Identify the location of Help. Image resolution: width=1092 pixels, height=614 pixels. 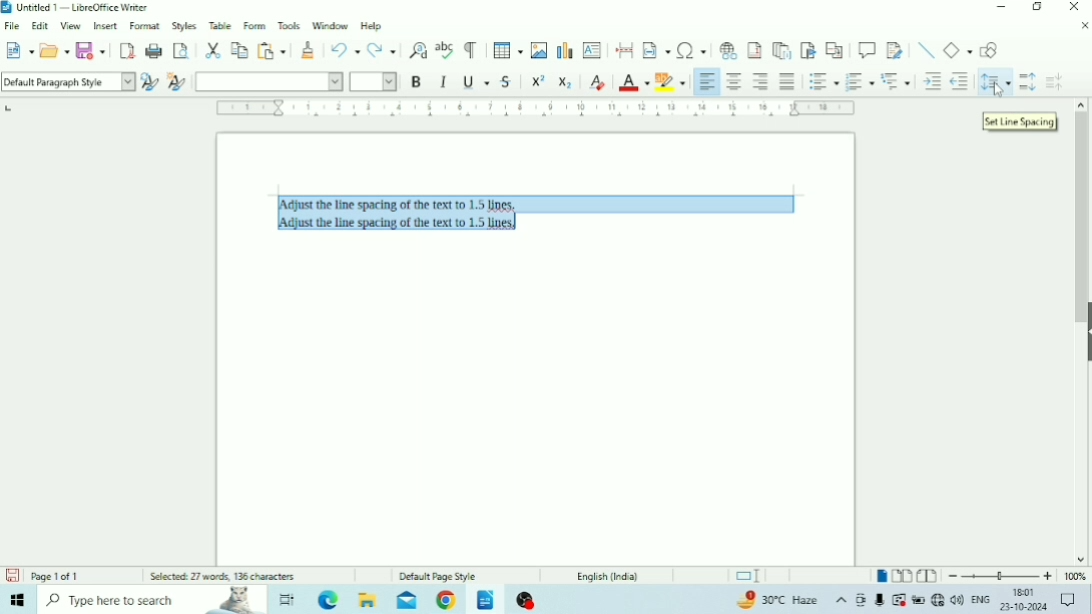
(372, 26).